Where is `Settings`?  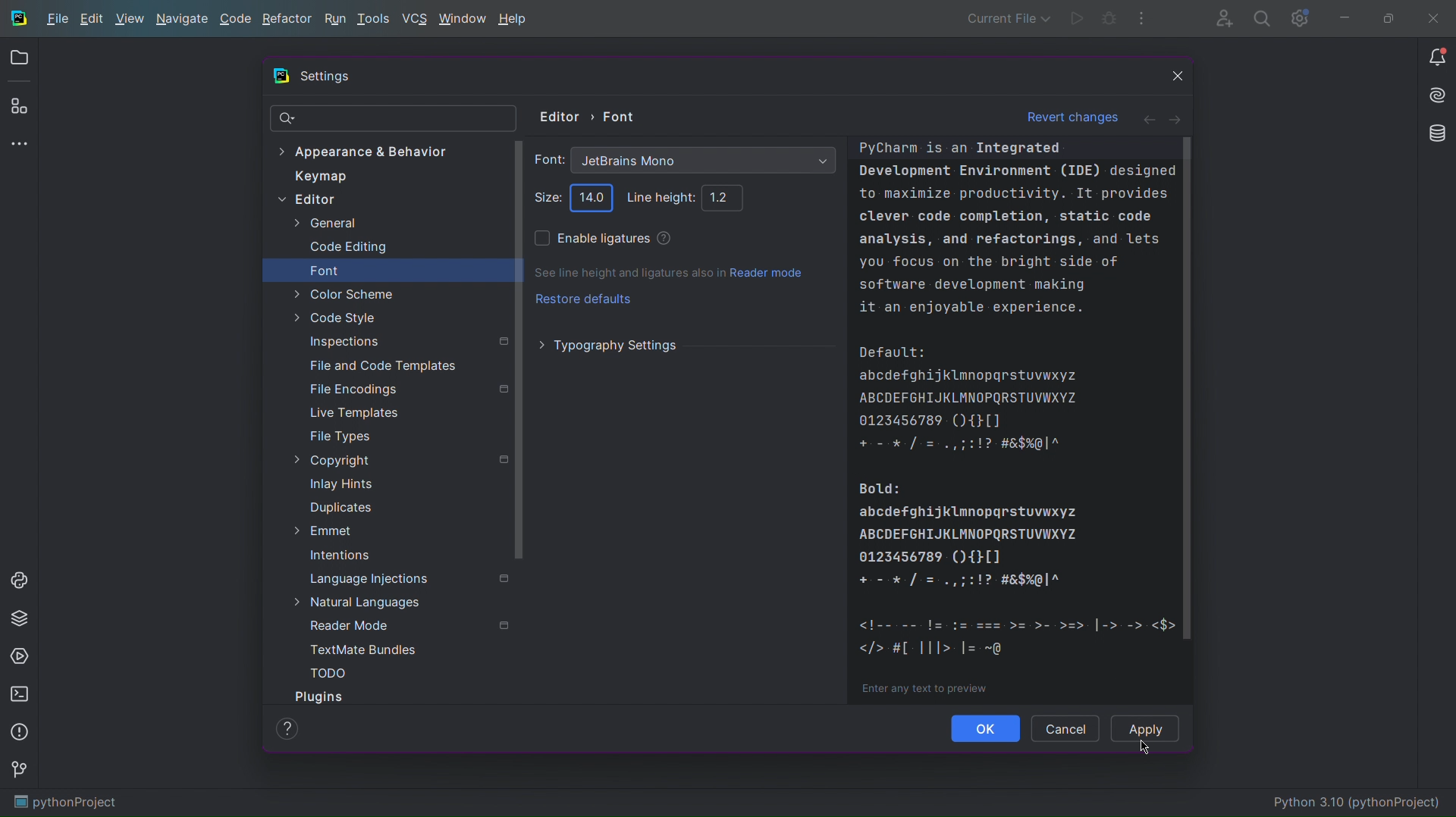
Settings is located at coordinates (1300, 19).